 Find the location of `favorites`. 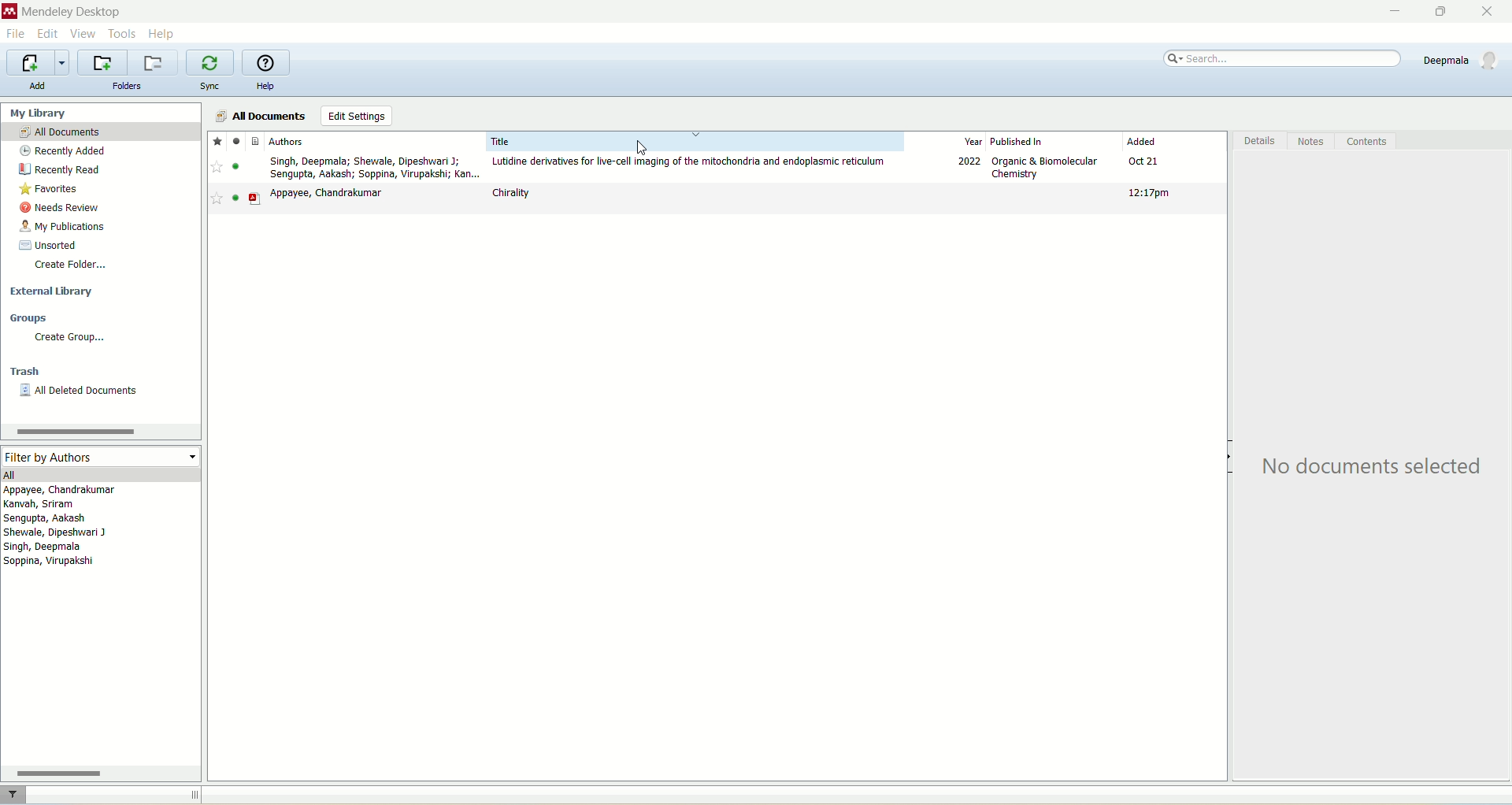

favorites is located at coordinates (54, 190).